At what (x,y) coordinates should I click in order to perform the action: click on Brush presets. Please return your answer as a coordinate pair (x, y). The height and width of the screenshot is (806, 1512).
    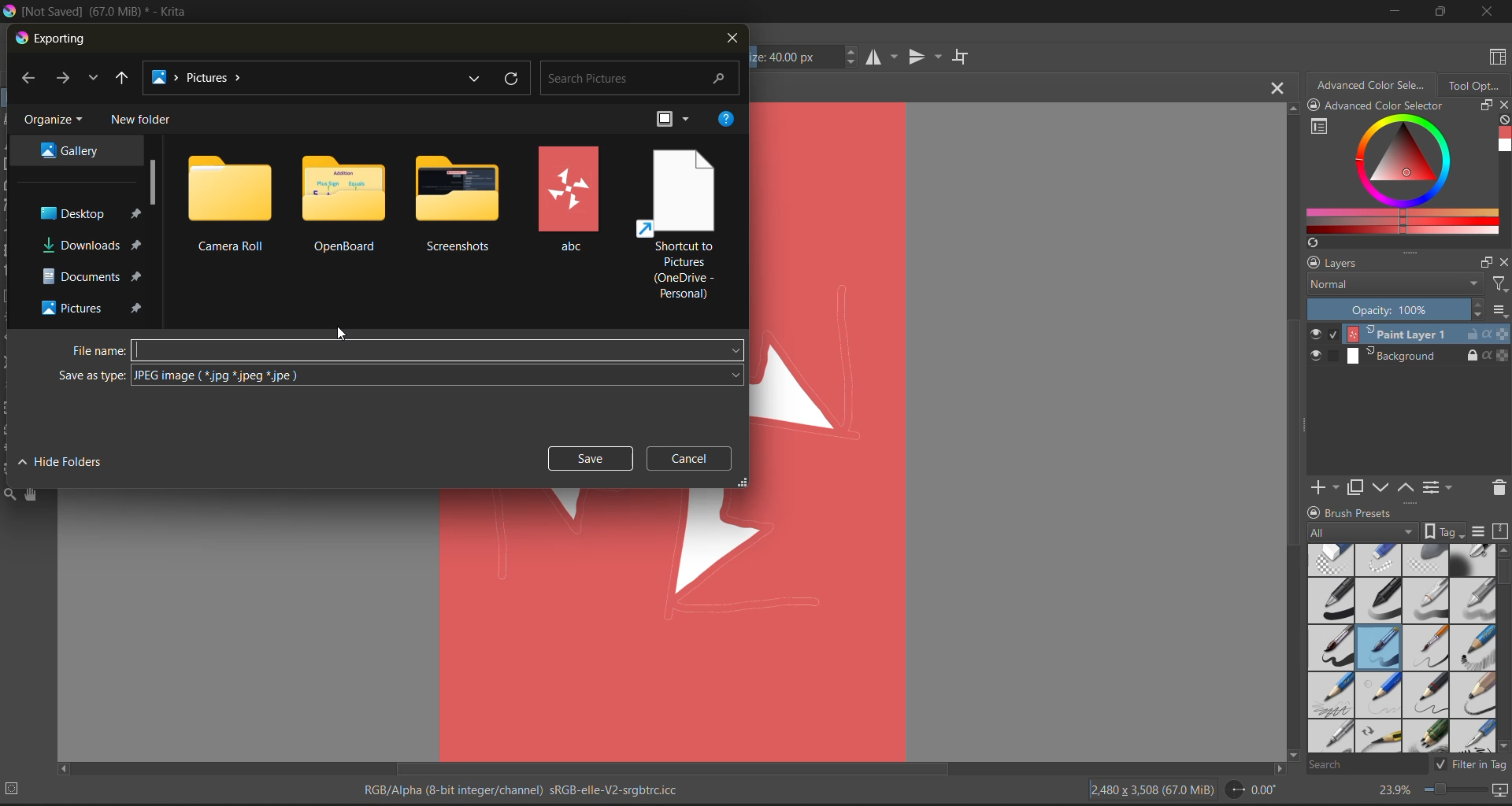
    Looking at the image, I should click on (1384, 513).